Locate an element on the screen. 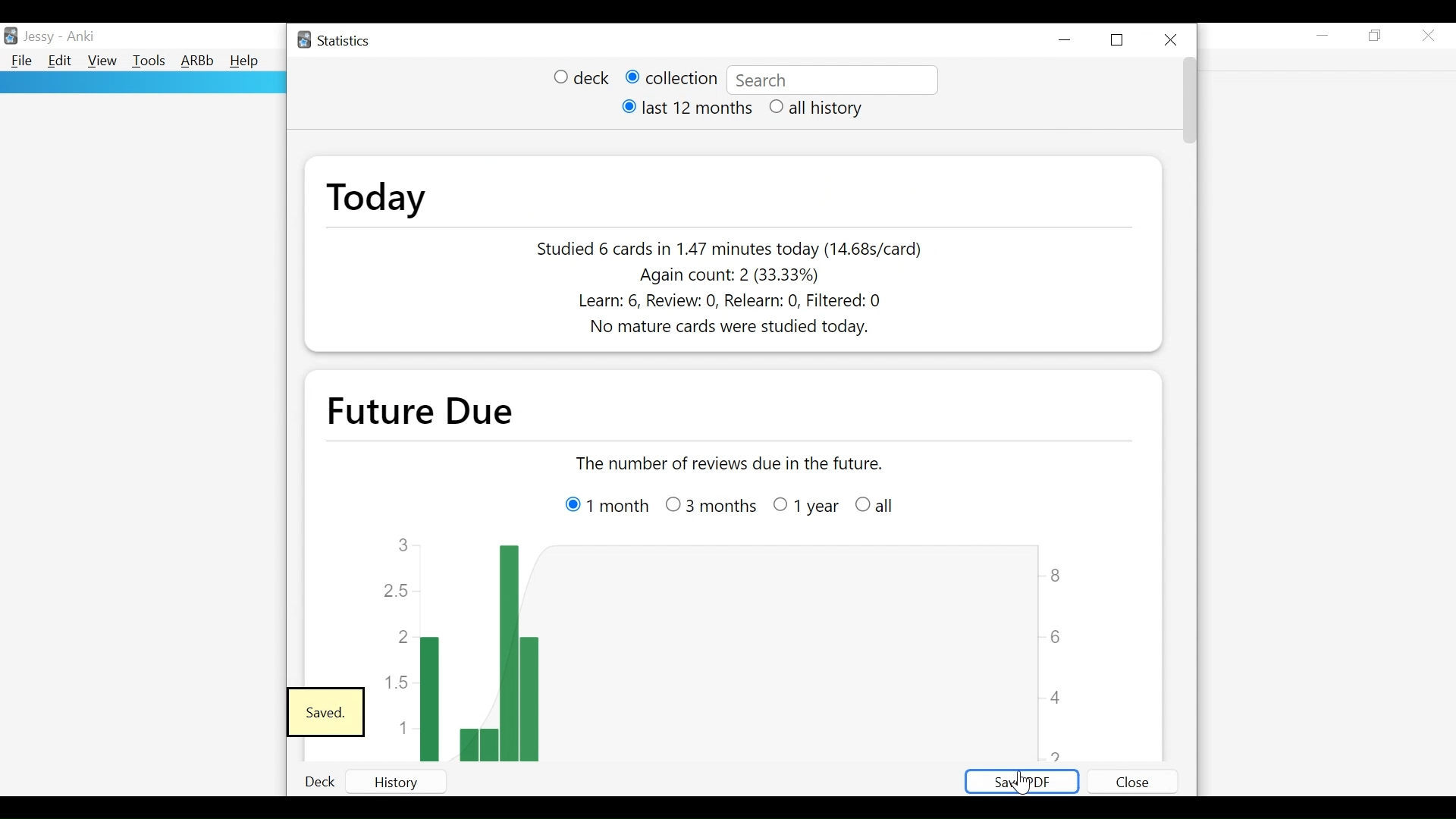 This screenshot has height=819, width=1456. Advanced Review Button bar is located at coordinates (197, 61).